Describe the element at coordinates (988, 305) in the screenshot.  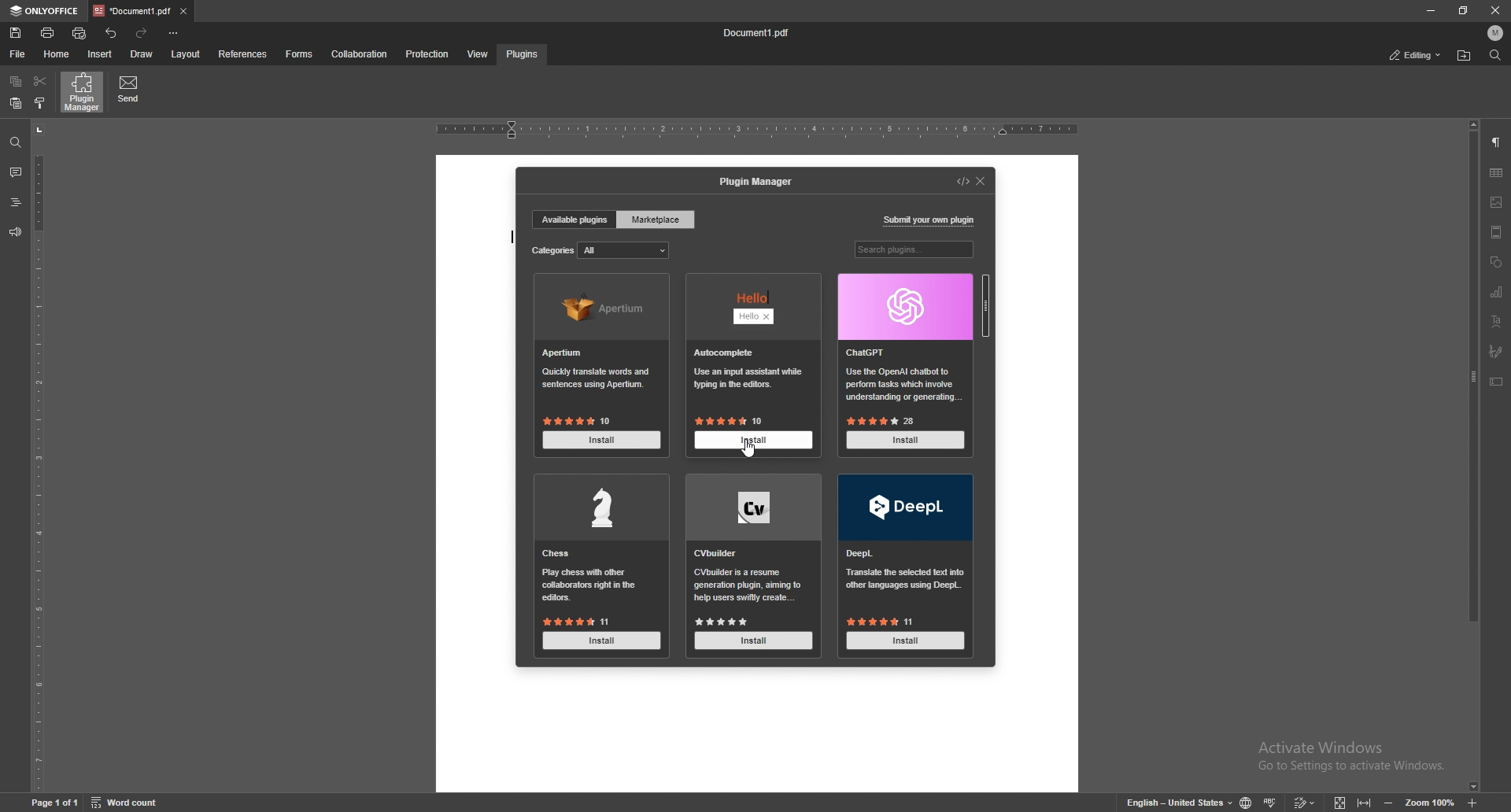
I see `scroll bar` at that location.